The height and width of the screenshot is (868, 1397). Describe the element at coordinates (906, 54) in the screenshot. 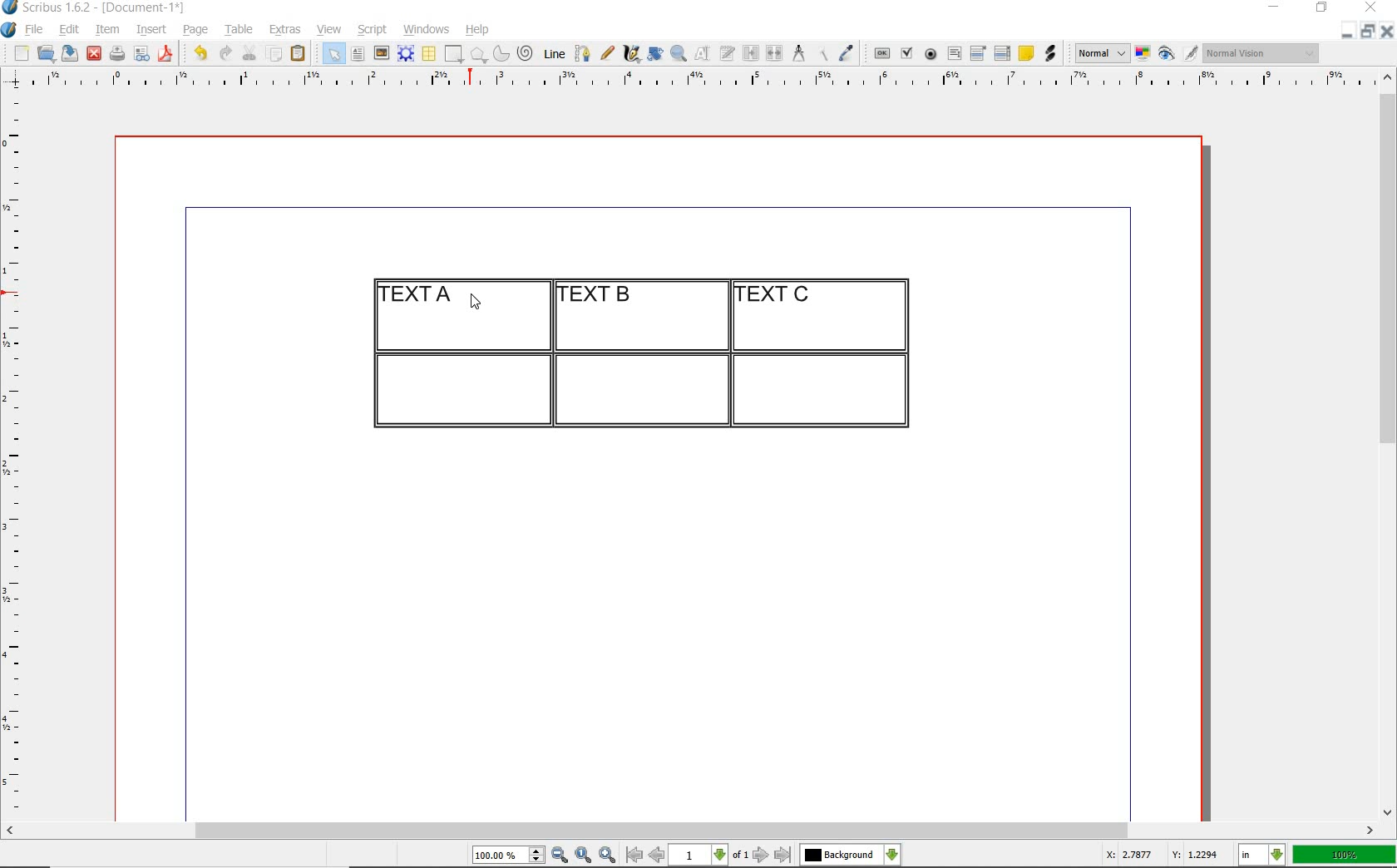

I see `pdf check box` at that location.